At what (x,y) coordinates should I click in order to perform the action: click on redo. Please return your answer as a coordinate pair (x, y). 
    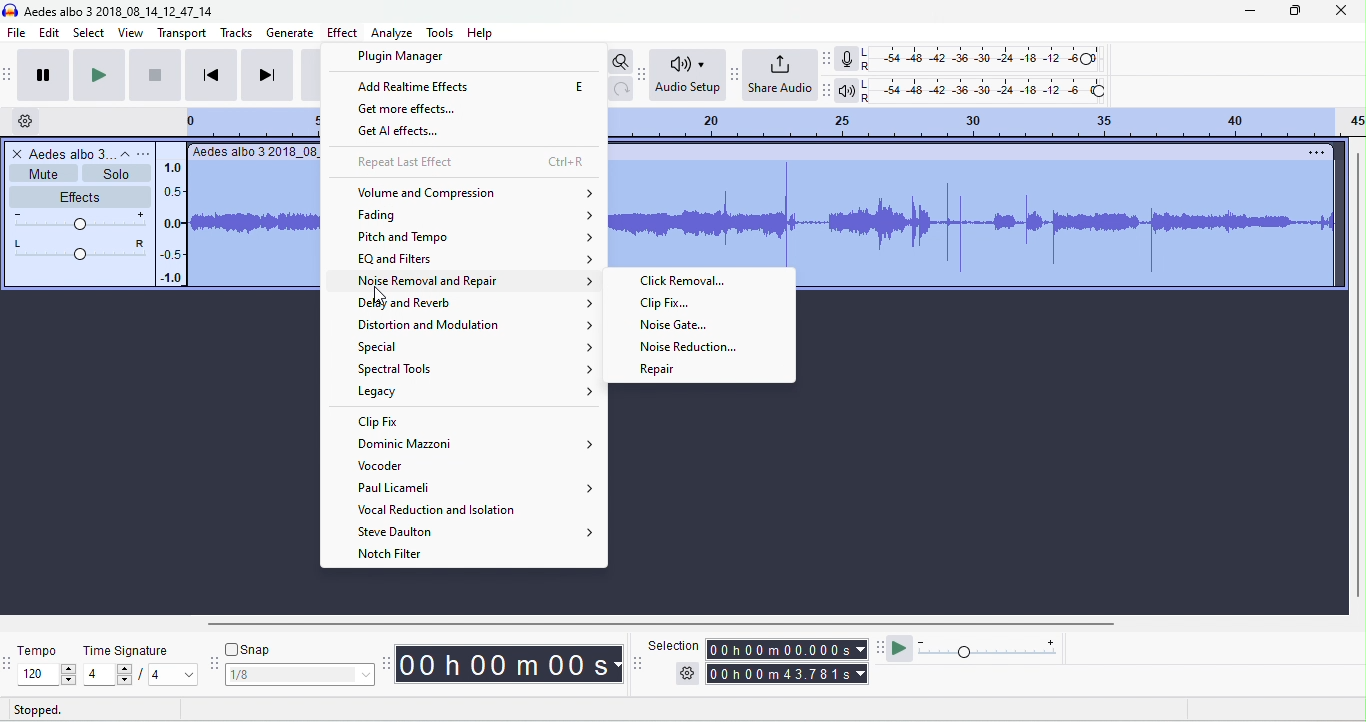
    Looking at the image, I should click on (622, 89).